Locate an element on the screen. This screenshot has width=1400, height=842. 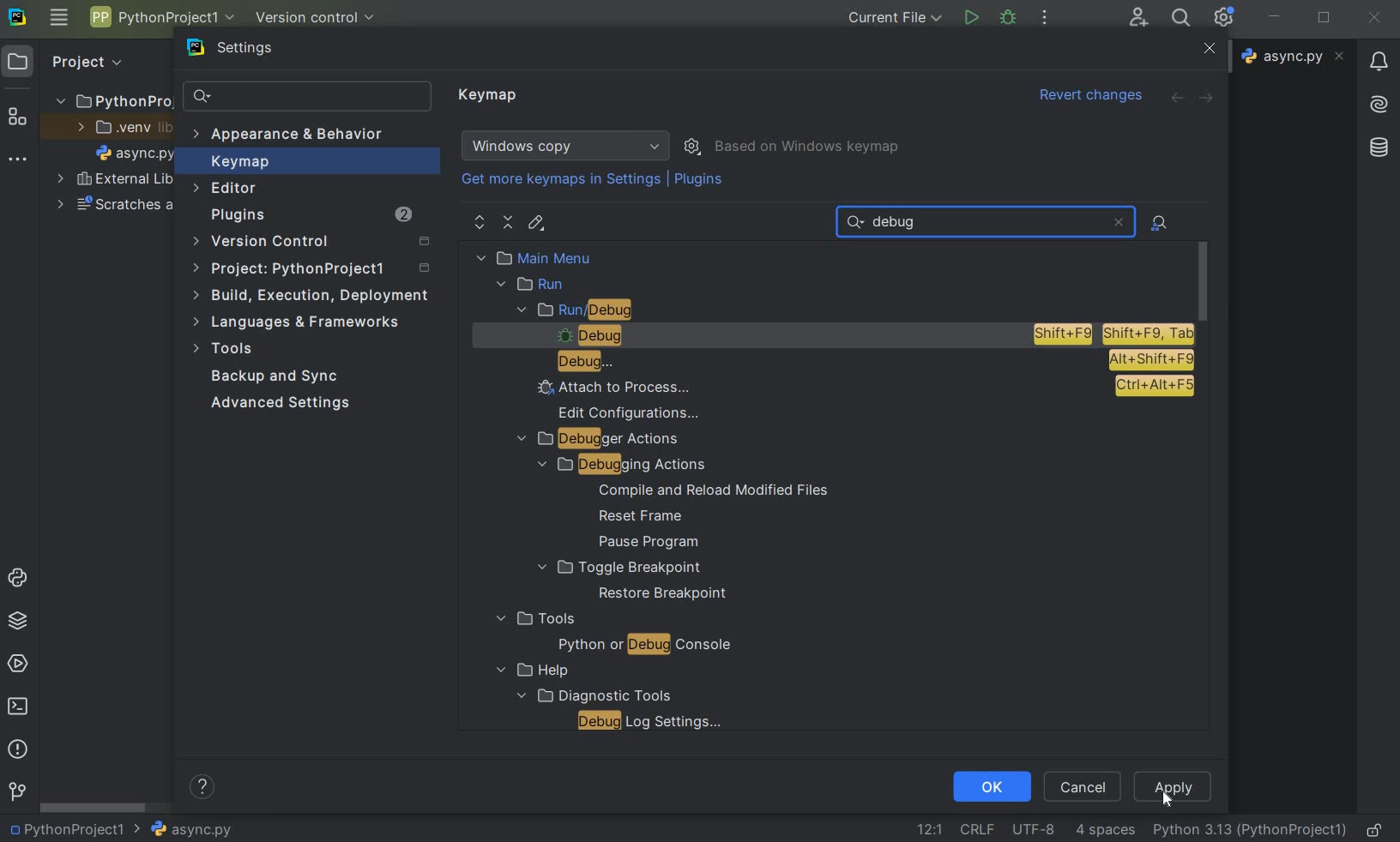
build, execution, deployment is located at coordinates (312, 295).